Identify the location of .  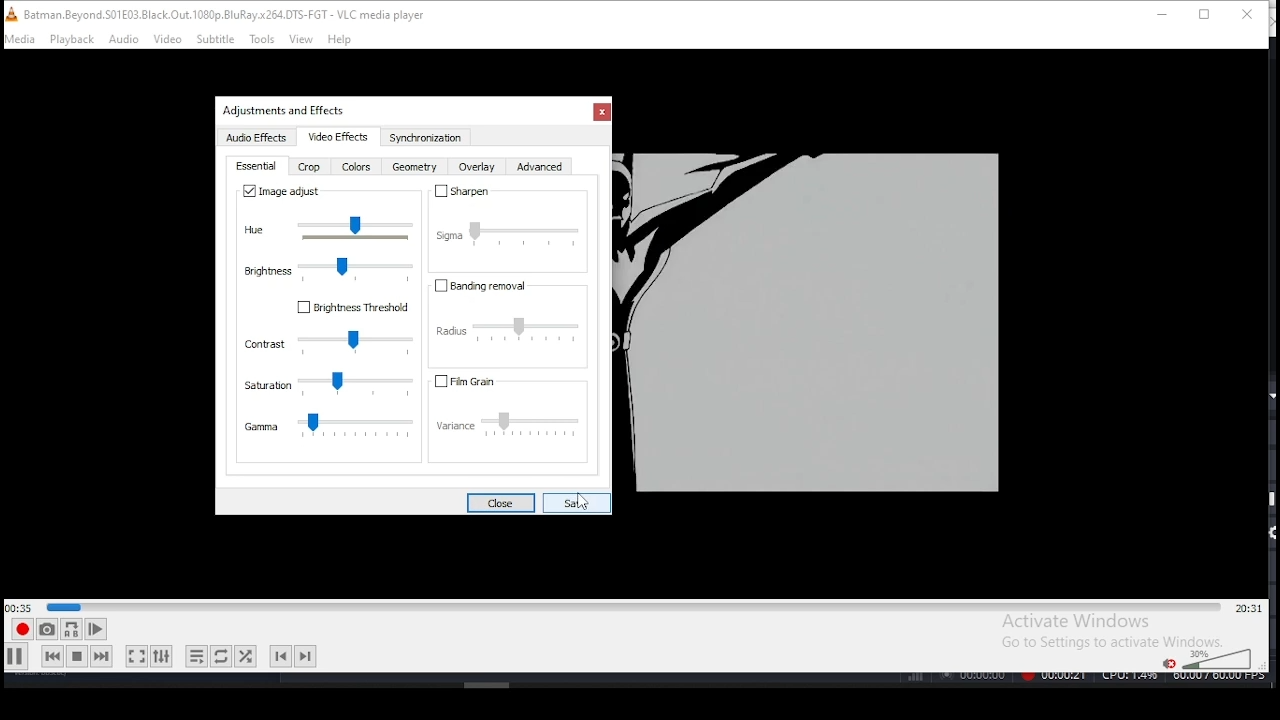
(807, 318).